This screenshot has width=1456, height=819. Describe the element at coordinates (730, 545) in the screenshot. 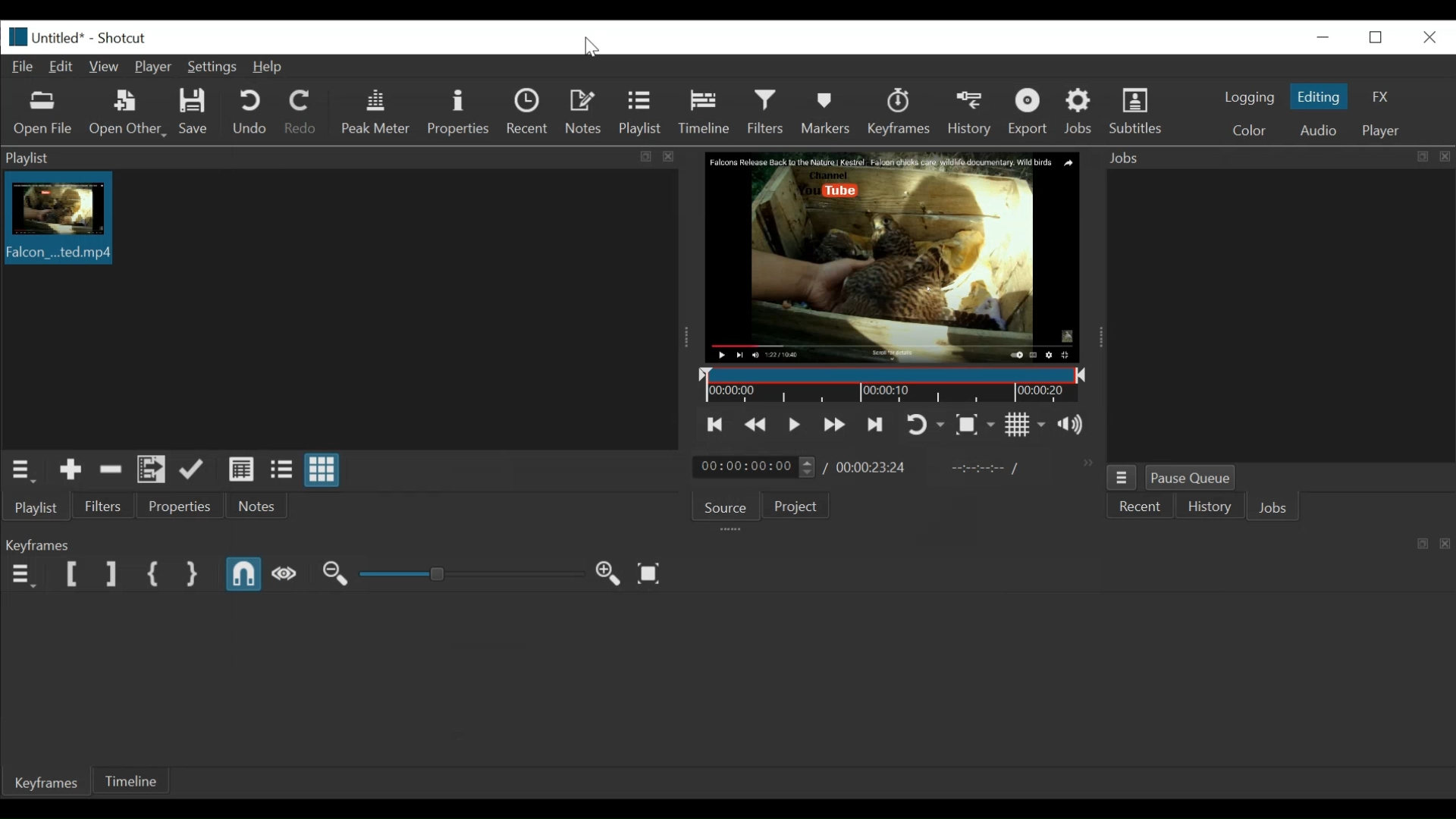

I see `Keyframe Panel` at that location.